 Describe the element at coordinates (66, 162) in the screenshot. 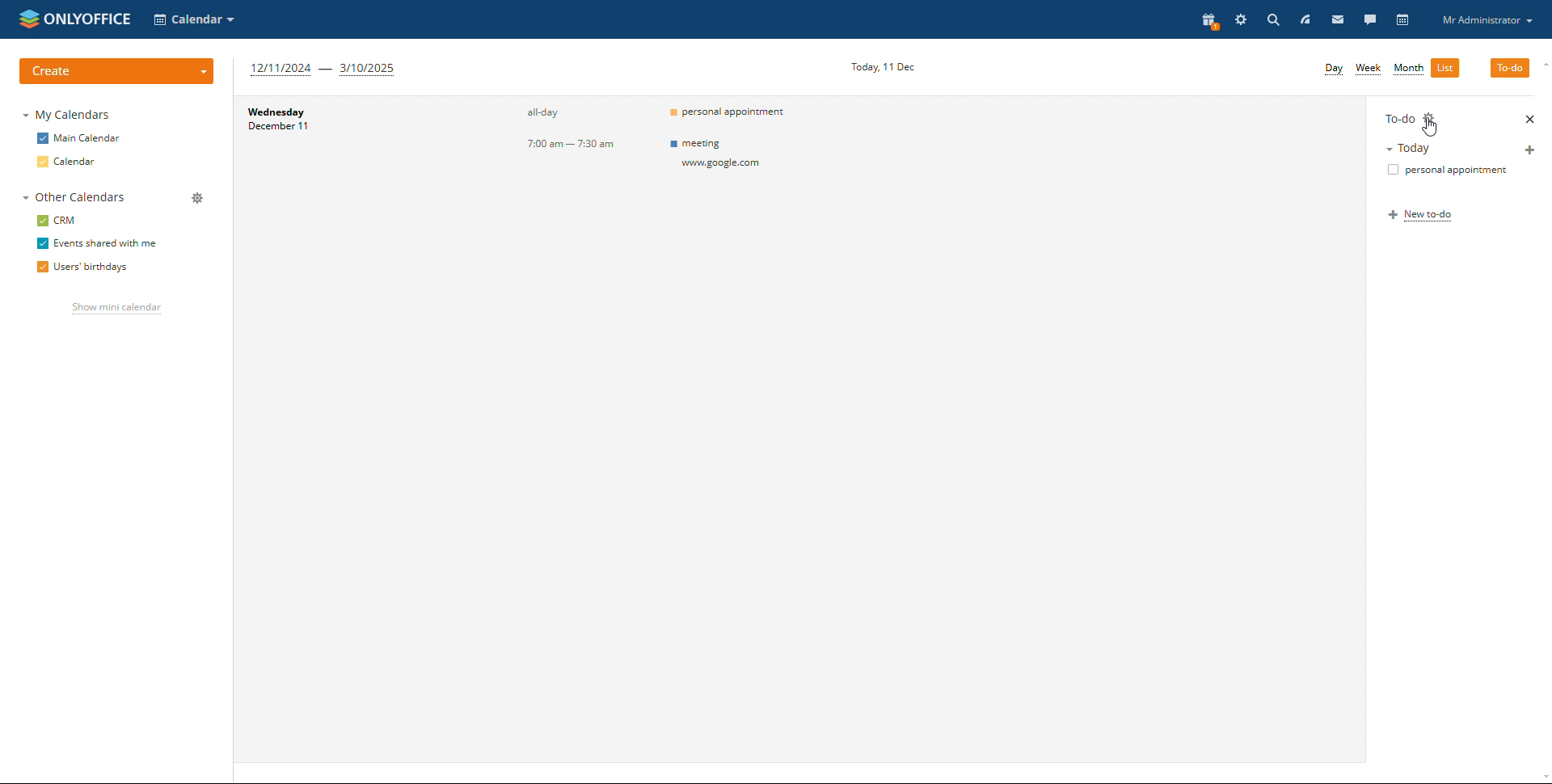

I see `calendar` at that location.